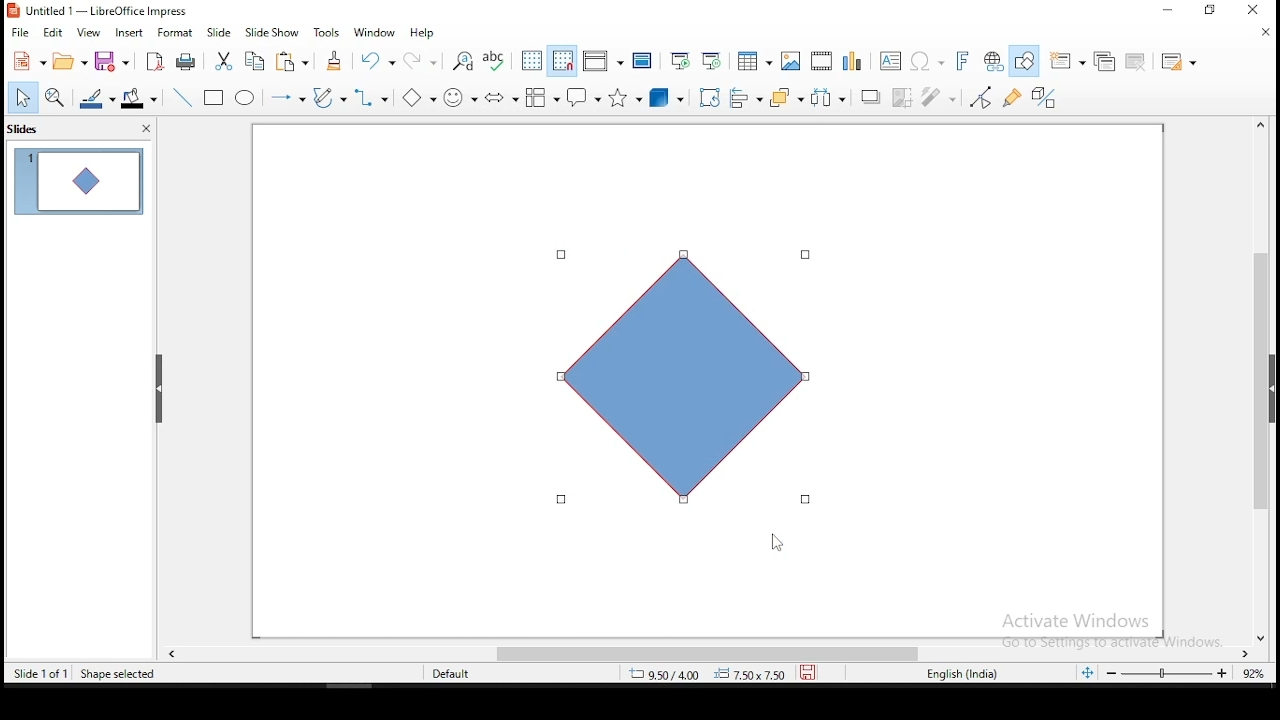 The image size is (1280, 720). I want to click on toggle extrusion, so click(1045, 99).